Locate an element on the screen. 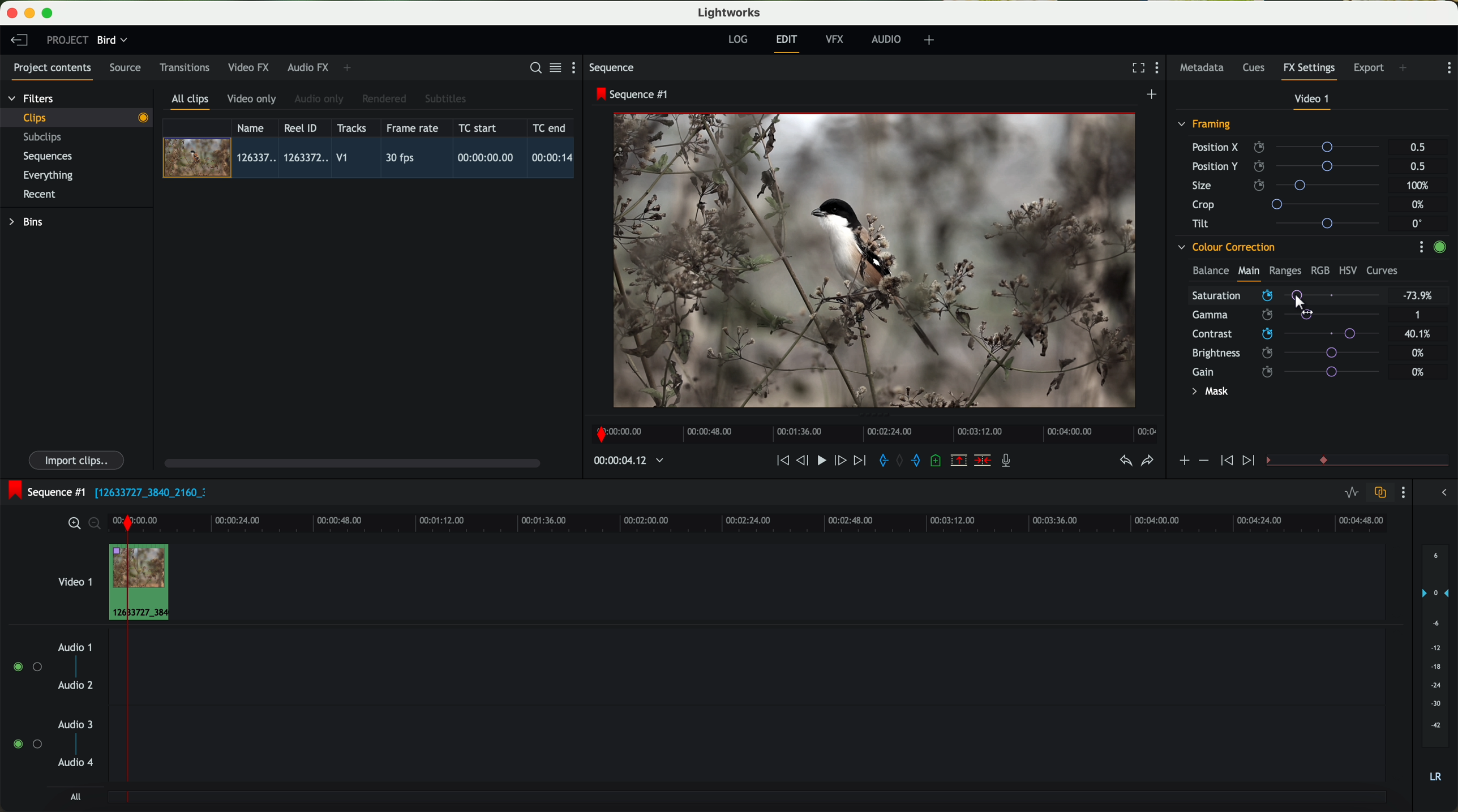 This screenshot has width=1458, height=812. show settings menu is located at coordinates (1421, 247).